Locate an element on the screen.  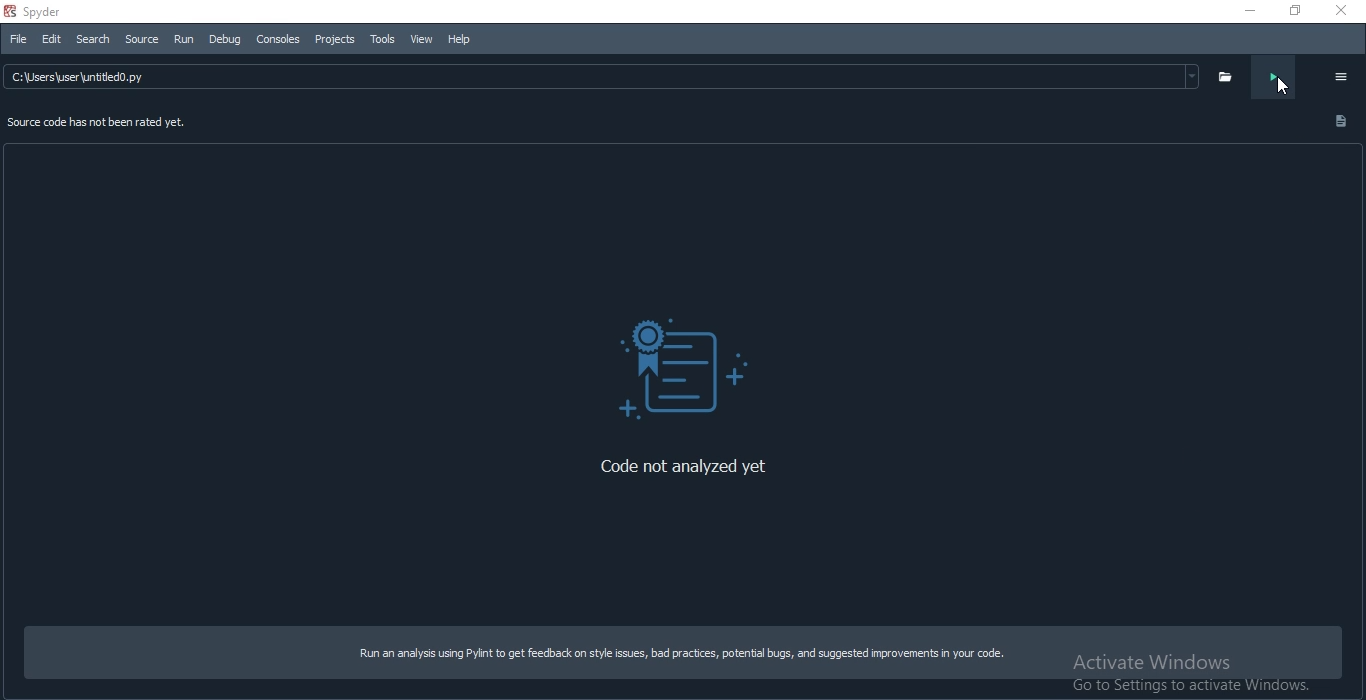
Debug is located at coordinates (224, 38).